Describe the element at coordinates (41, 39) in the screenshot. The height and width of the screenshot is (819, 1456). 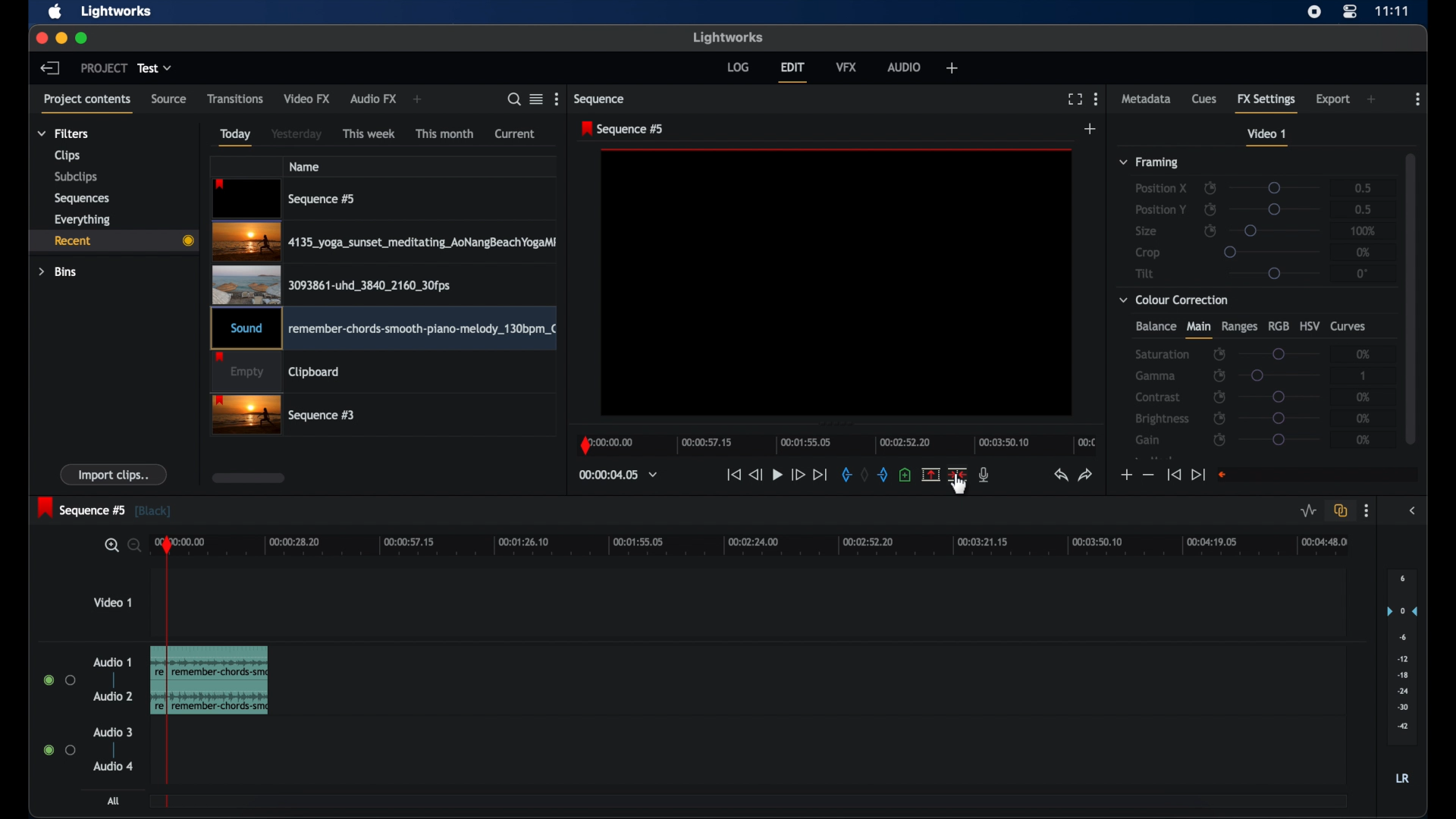
I see `close` at that location.